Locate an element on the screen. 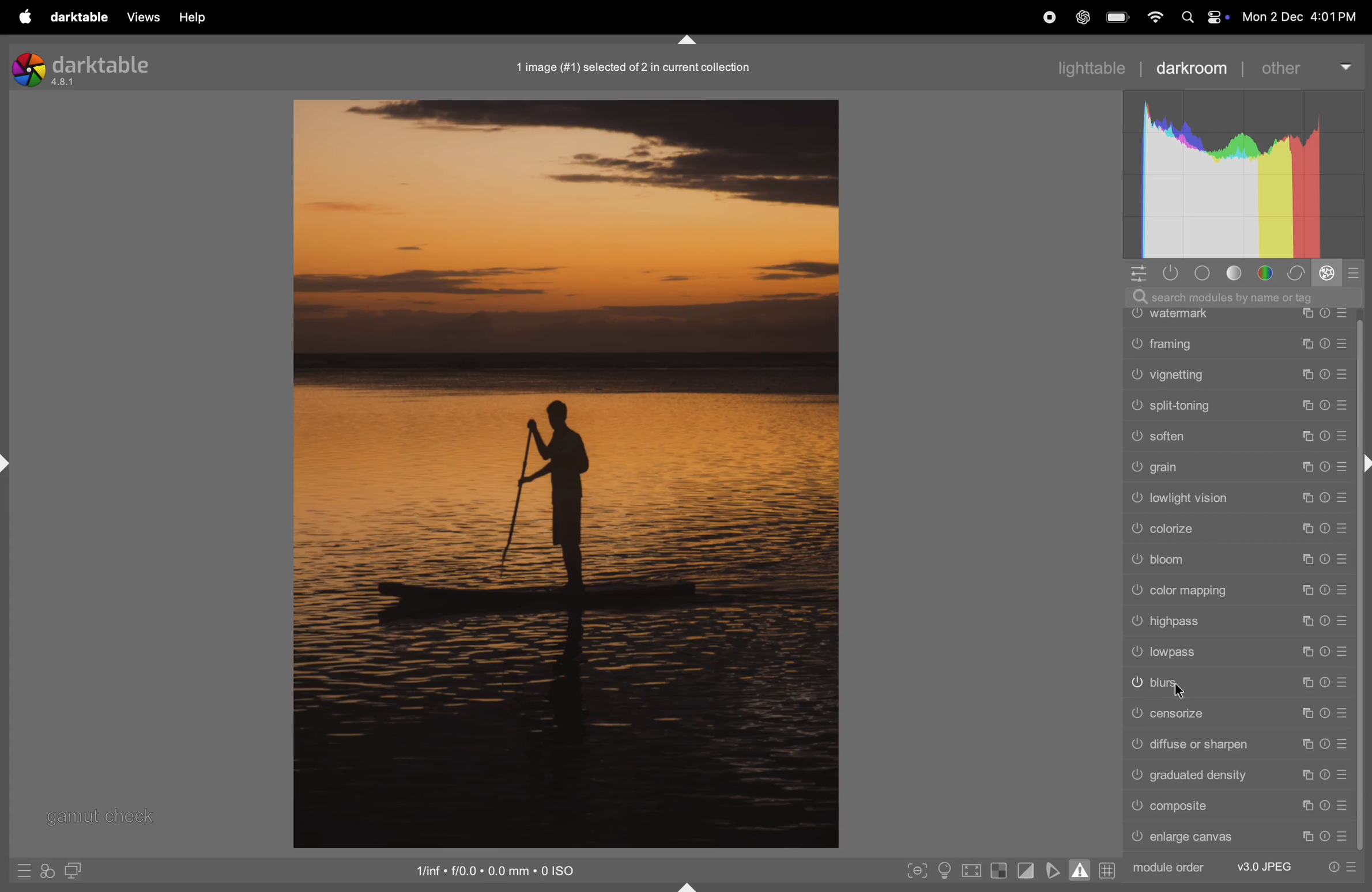 The height and width of the screenshot is (892, 1372). quick presets is located at coordinates (1341, 868).